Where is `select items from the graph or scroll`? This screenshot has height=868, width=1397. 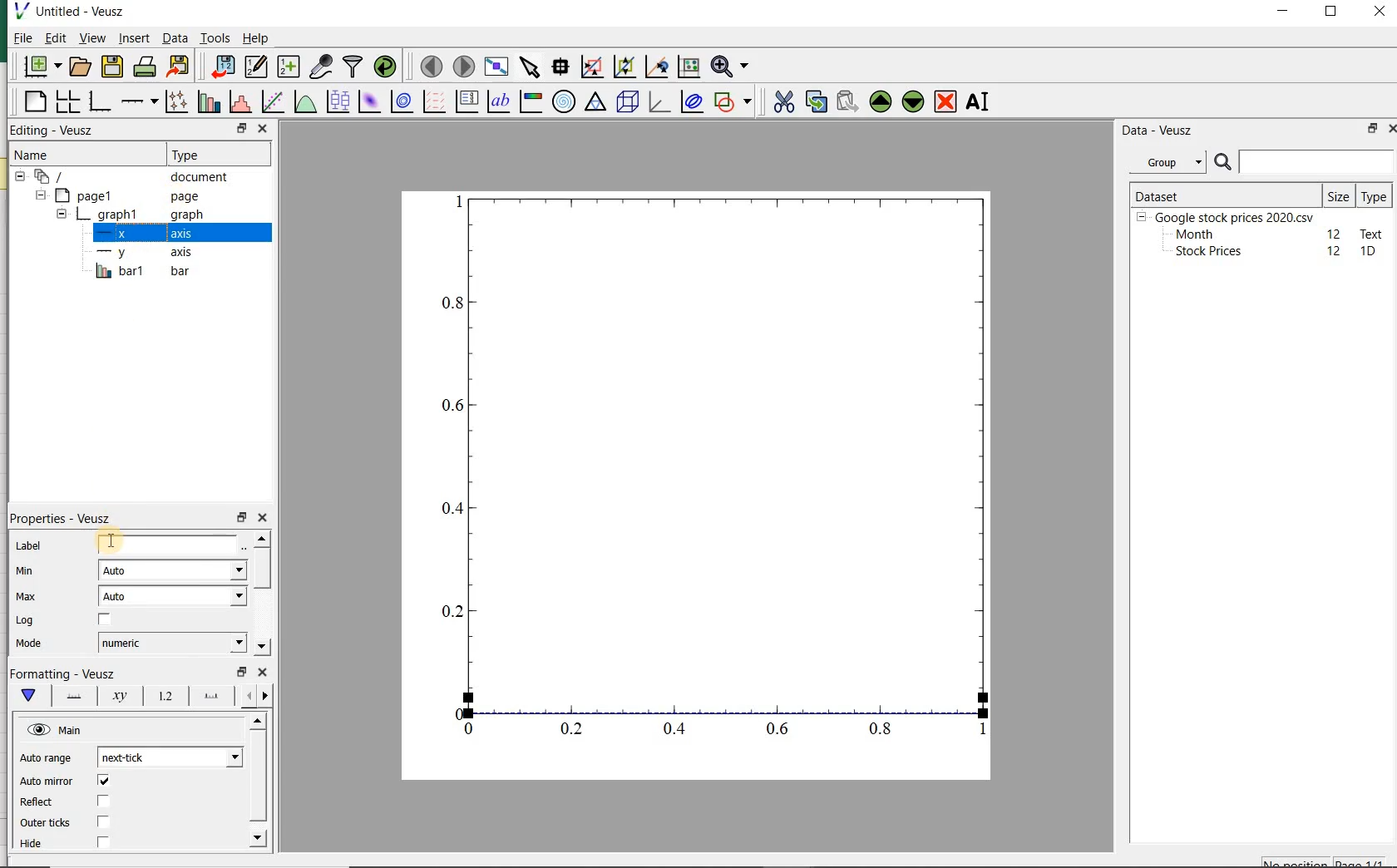
select items from the graph or scroll is located at coordinates (529, 67).